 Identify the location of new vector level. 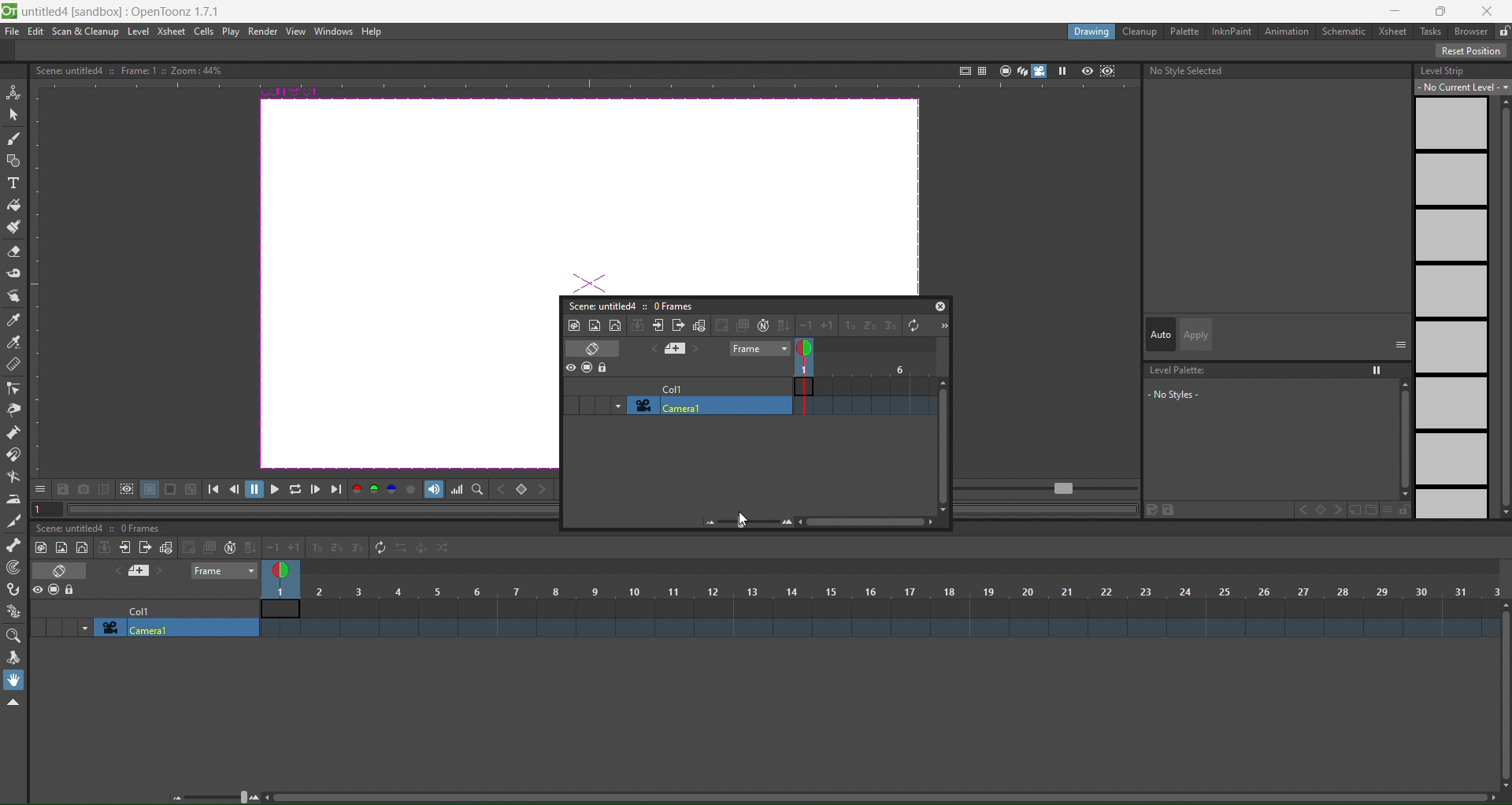
(615, 325).